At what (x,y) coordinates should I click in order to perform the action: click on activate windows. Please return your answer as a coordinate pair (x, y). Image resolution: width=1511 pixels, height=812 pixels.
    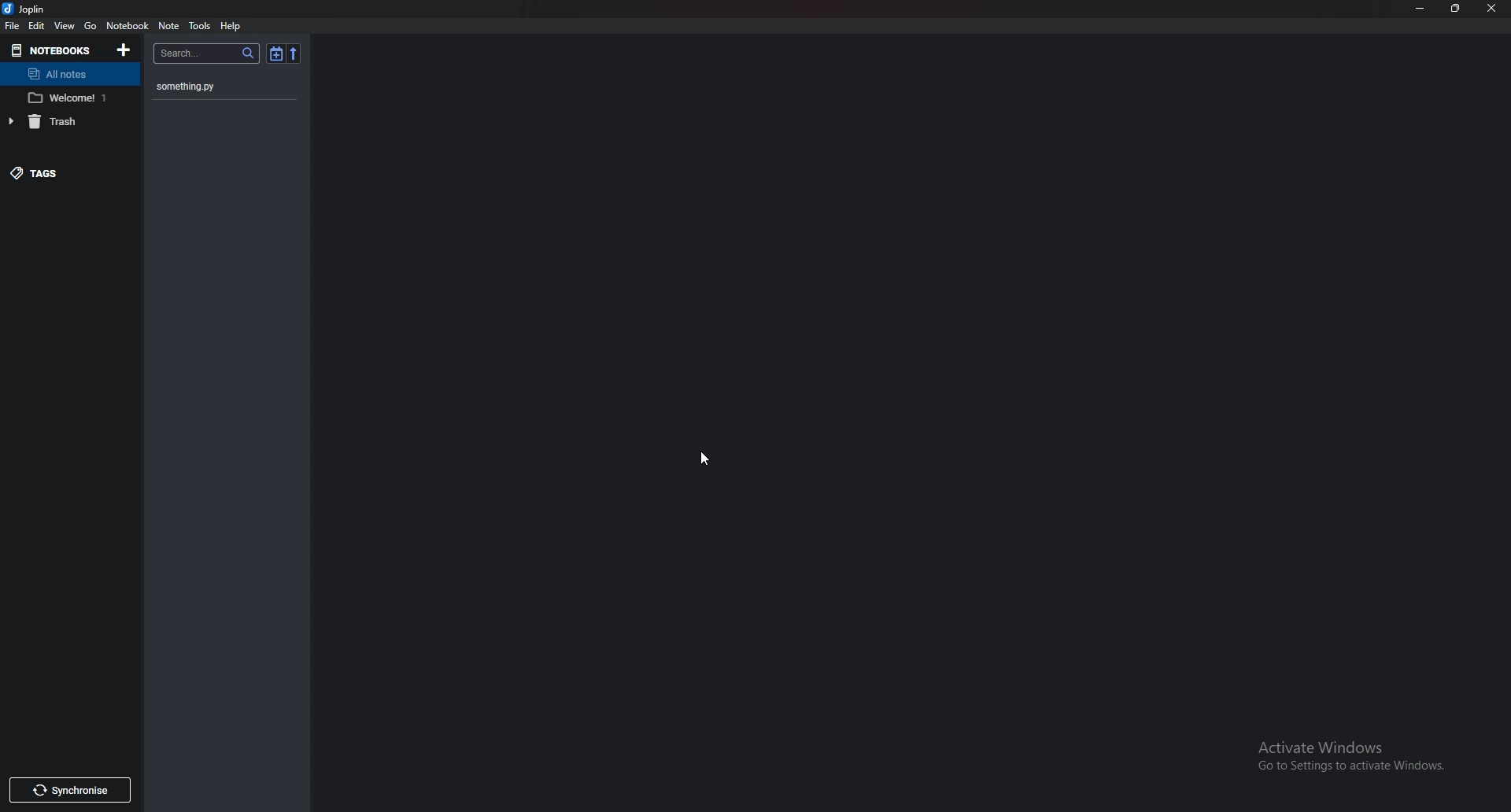
    Looking at the image, I should click on (1350, 764).